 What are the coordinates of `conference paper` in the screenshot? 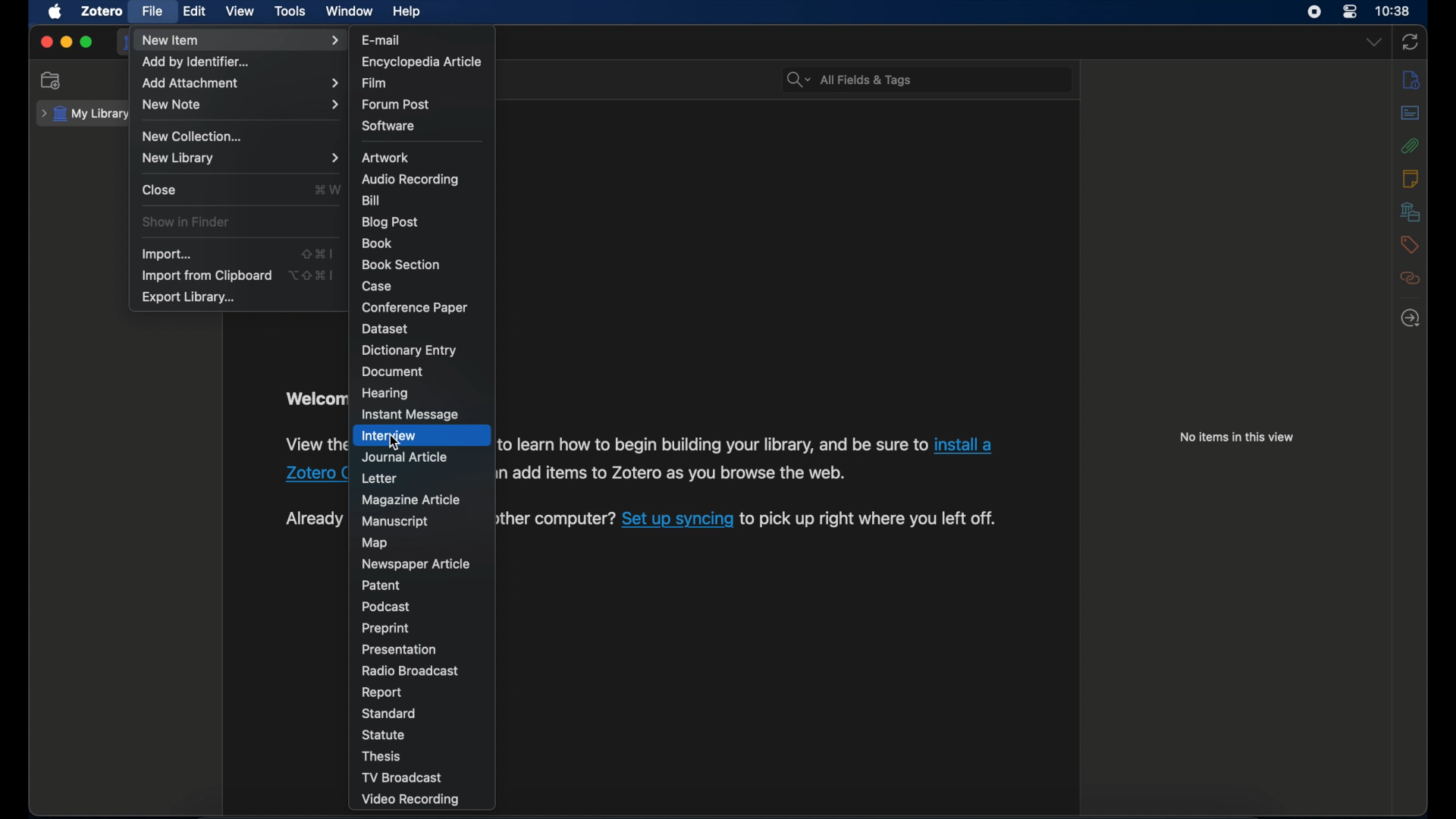 It's located at (417, 307).